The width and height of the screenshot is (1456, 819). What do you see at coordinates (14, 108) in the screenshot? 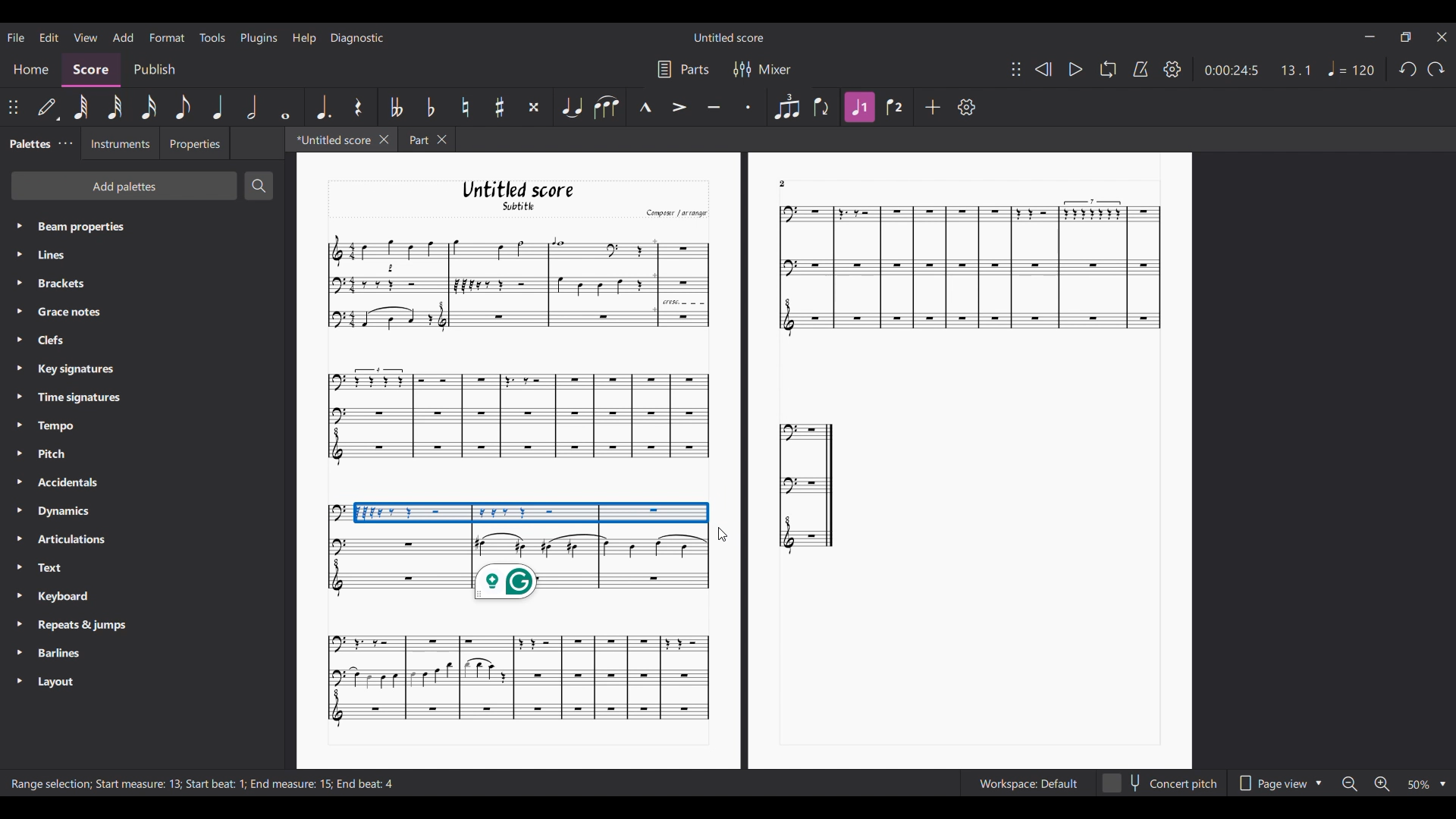
I see `Change position` at bounding box center [14, 108].